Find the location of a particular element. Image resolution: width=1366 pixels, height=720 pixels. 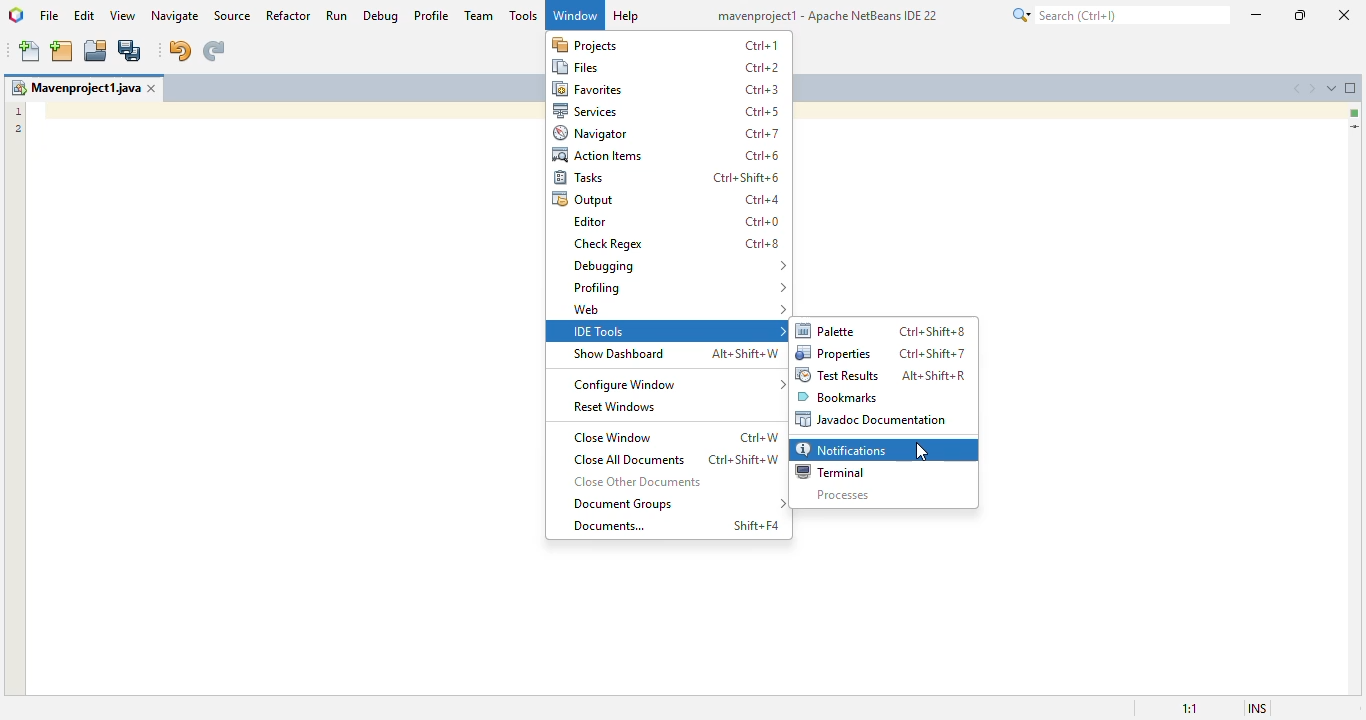

processes is located at coordinates (843, 495).